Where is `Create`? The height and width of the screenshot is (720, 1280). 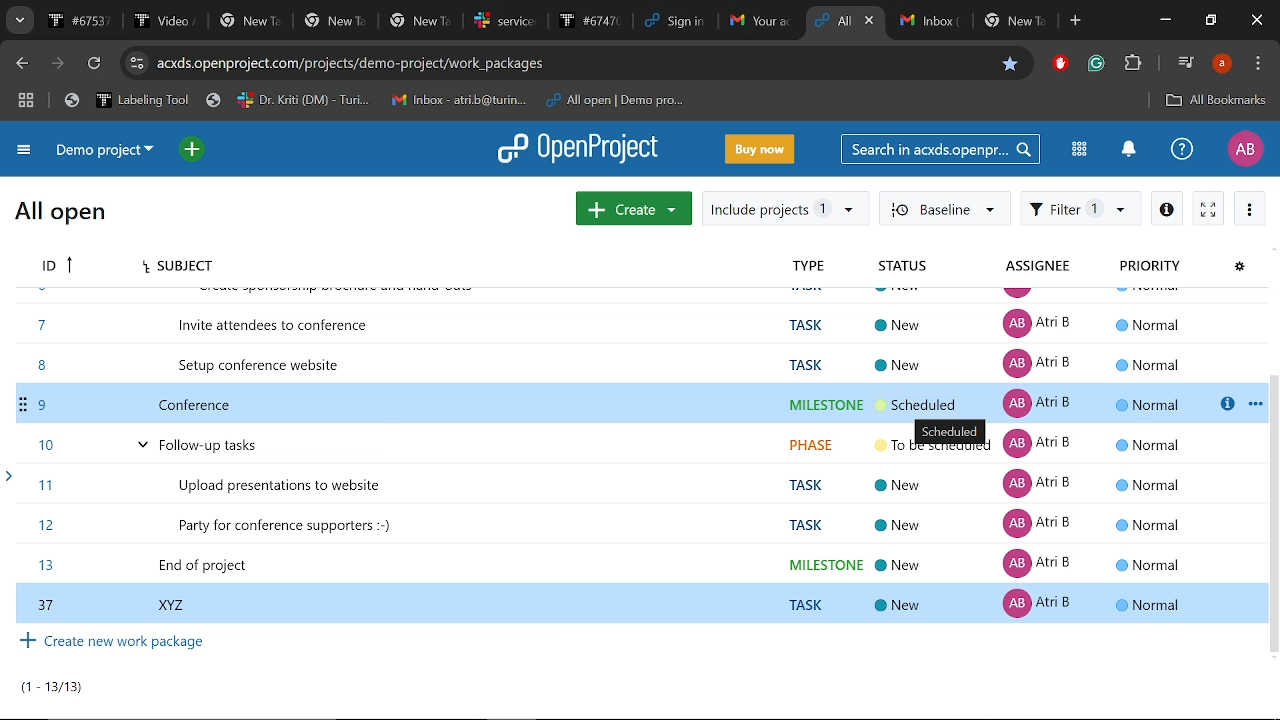
Create is located at coordinates (634, 208).